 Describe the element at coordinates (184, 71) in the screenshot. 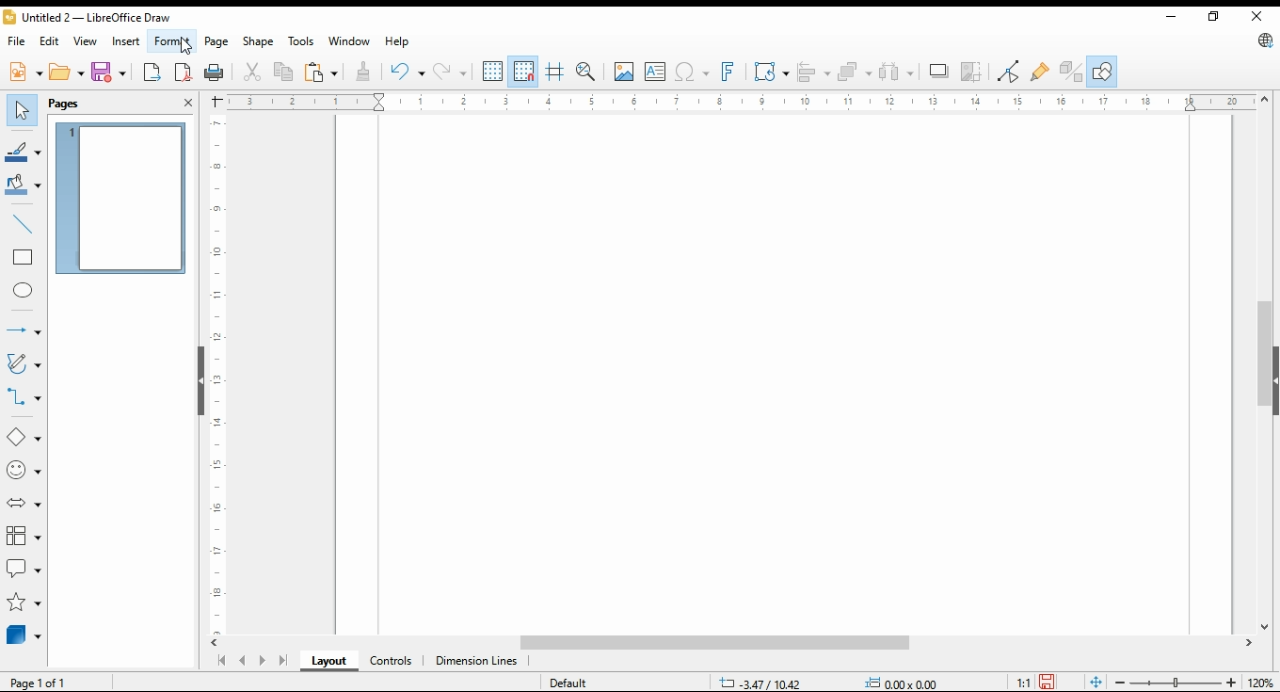

I see `export directly as pdf` at that location.